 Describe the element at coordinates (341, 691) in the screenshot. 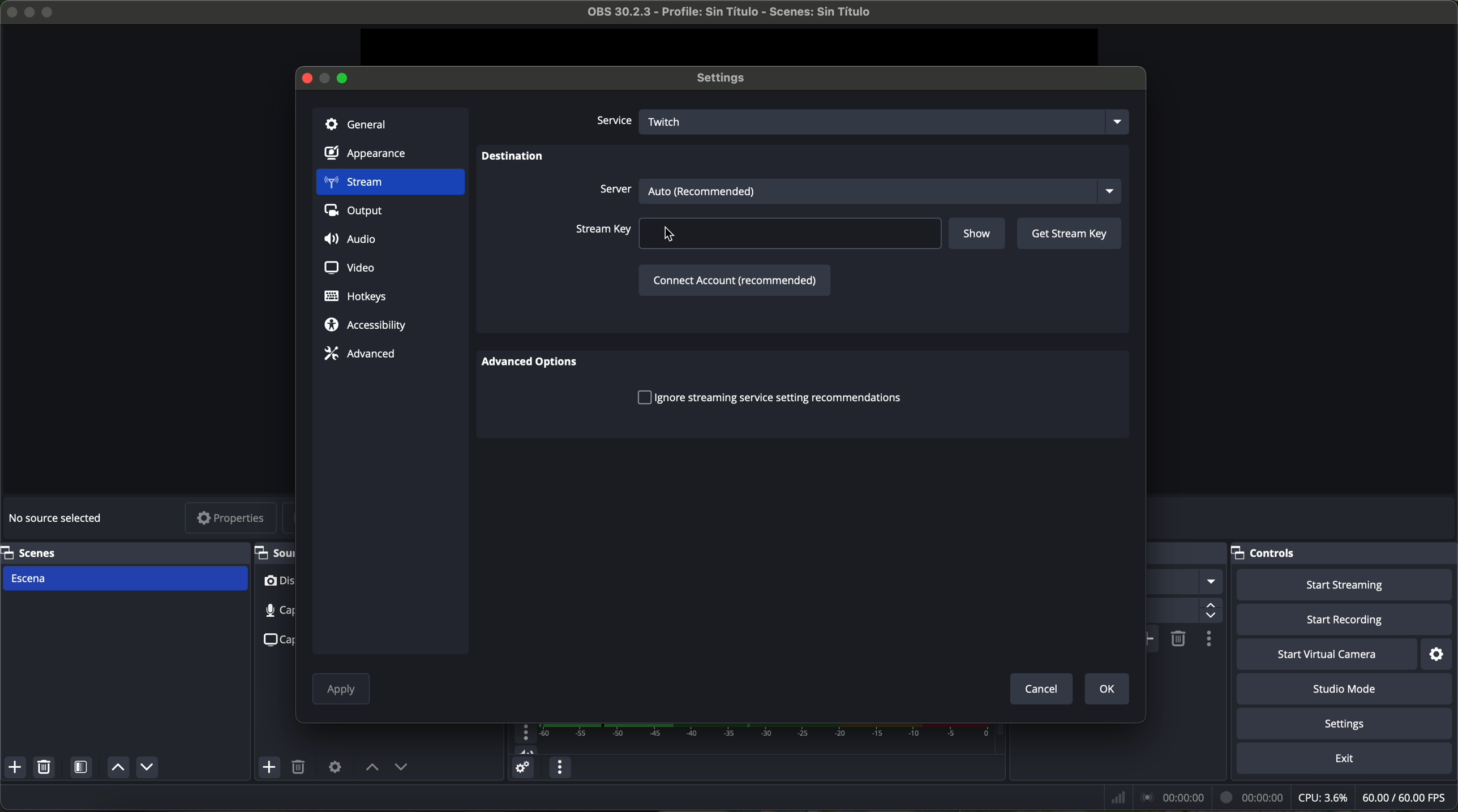

I see `apply` at that location.